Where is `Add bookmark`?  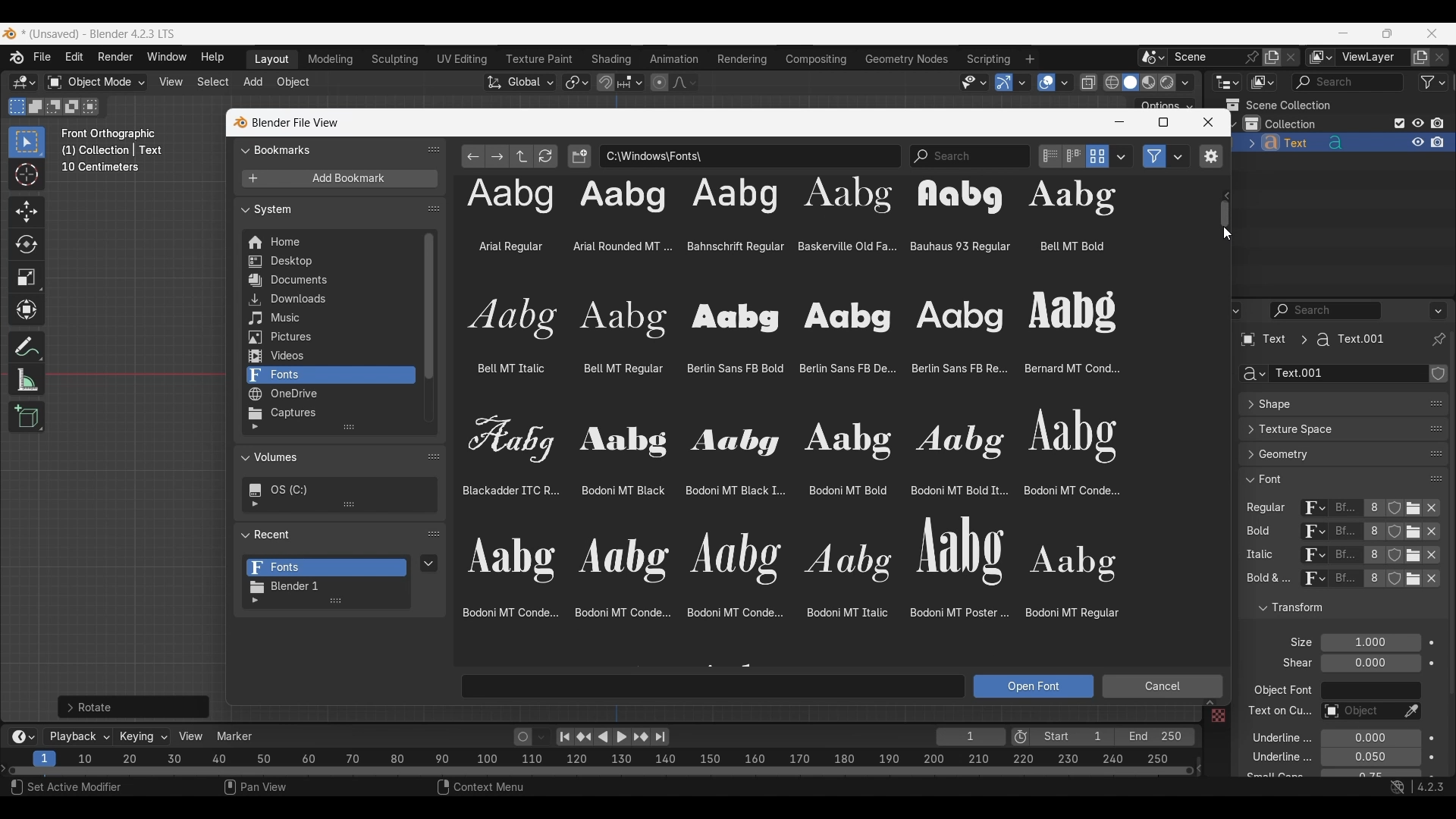 Add bookmark is located at coordinates (339, 179).